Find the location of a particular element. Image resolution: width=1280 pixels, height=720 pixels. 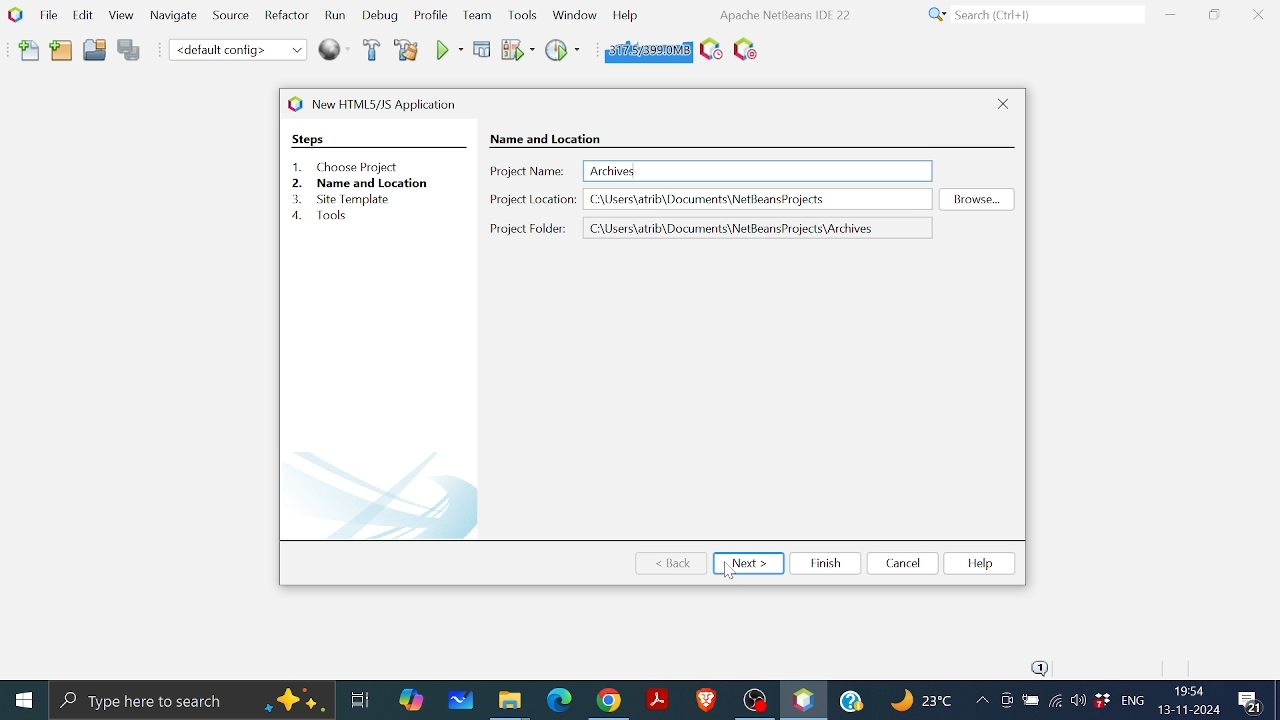

2. Name and location is located at coordinates (359, 183).